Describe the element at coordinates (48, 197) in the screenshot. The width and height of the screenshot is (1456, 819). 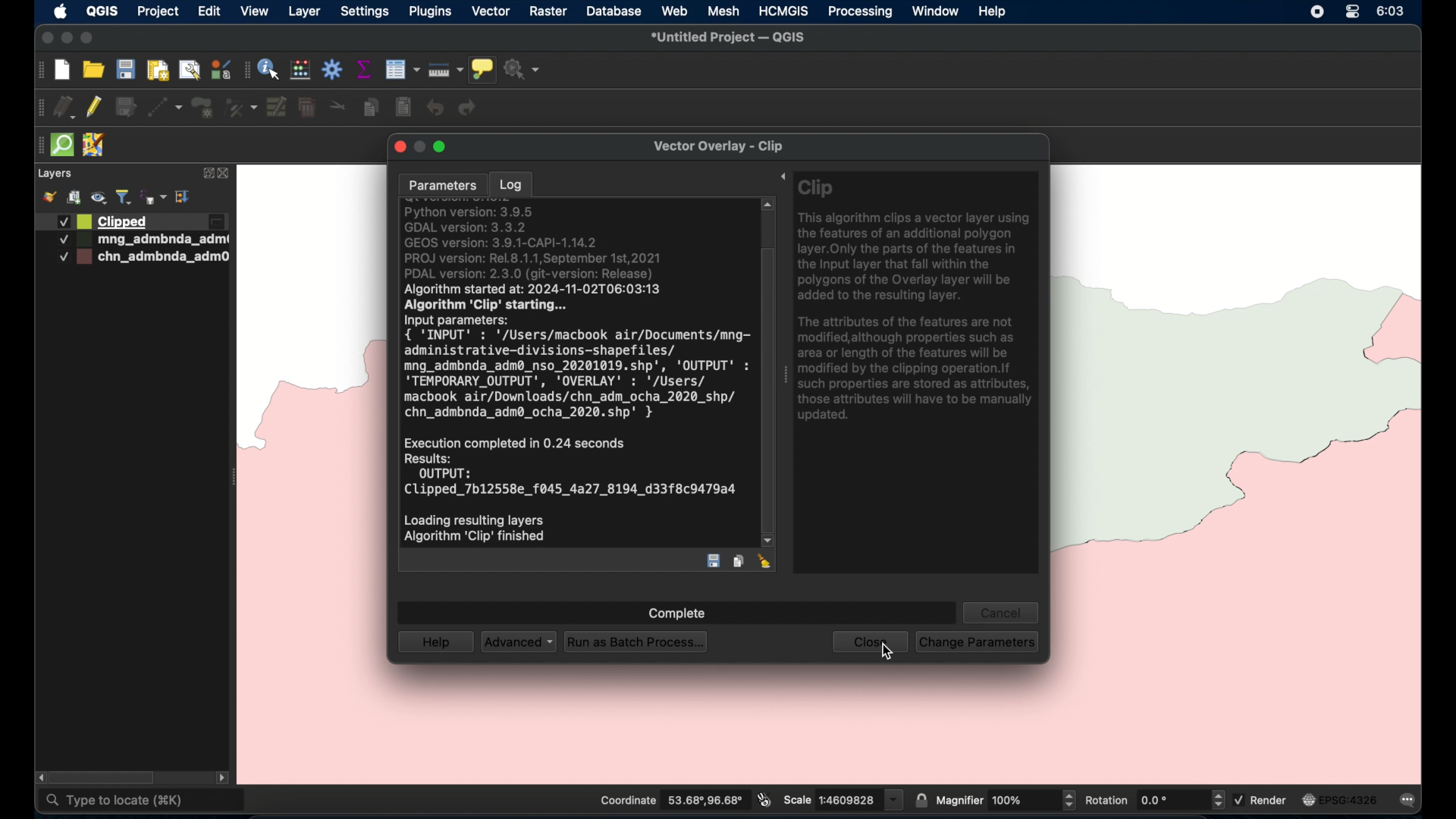
I see `open styling panel` at that location.